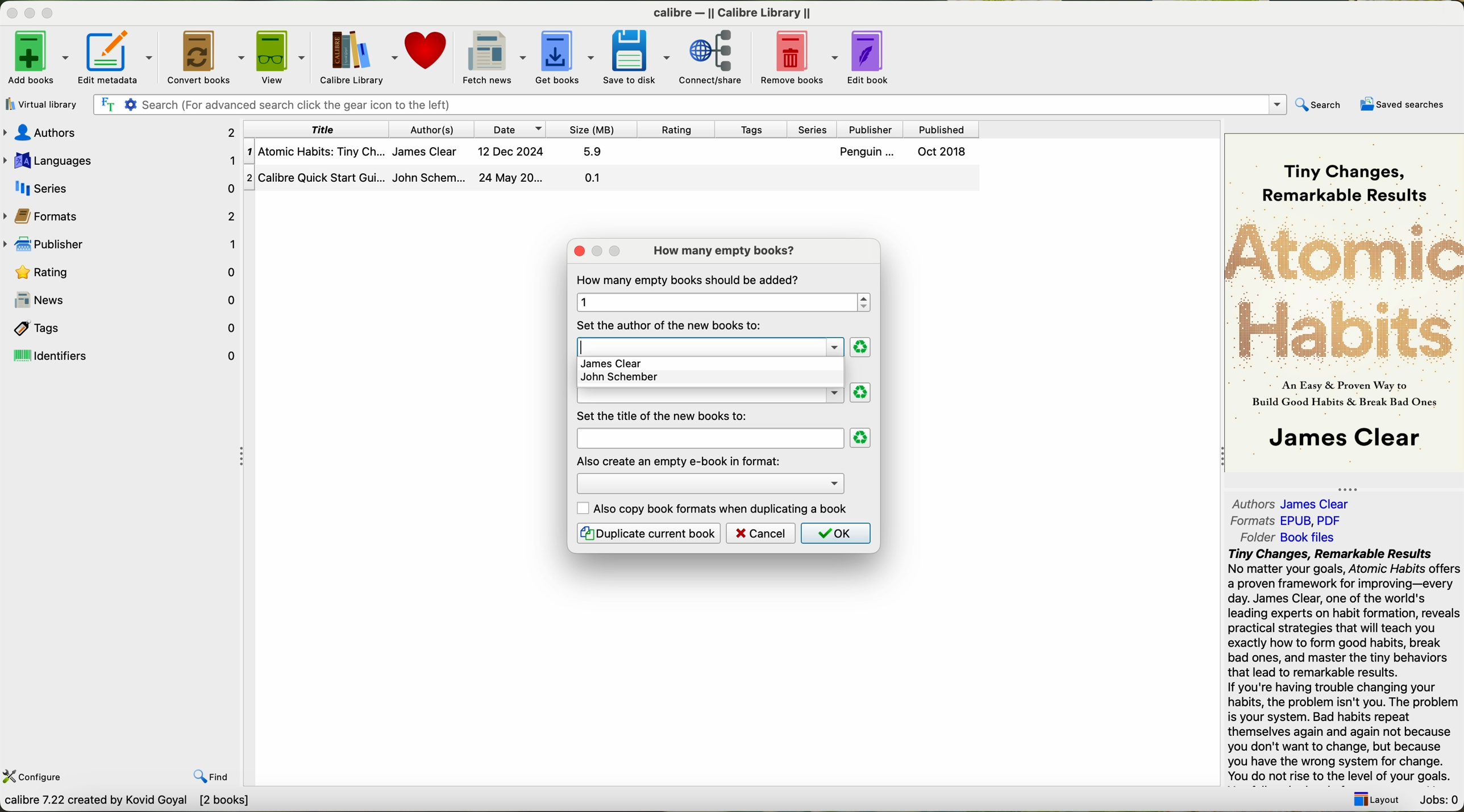 This screenshot has width=1464, height=812. What do you see at coordinates (1286, 538) in the screenshot?
I see `folder` at bounding box center [1286, 538].